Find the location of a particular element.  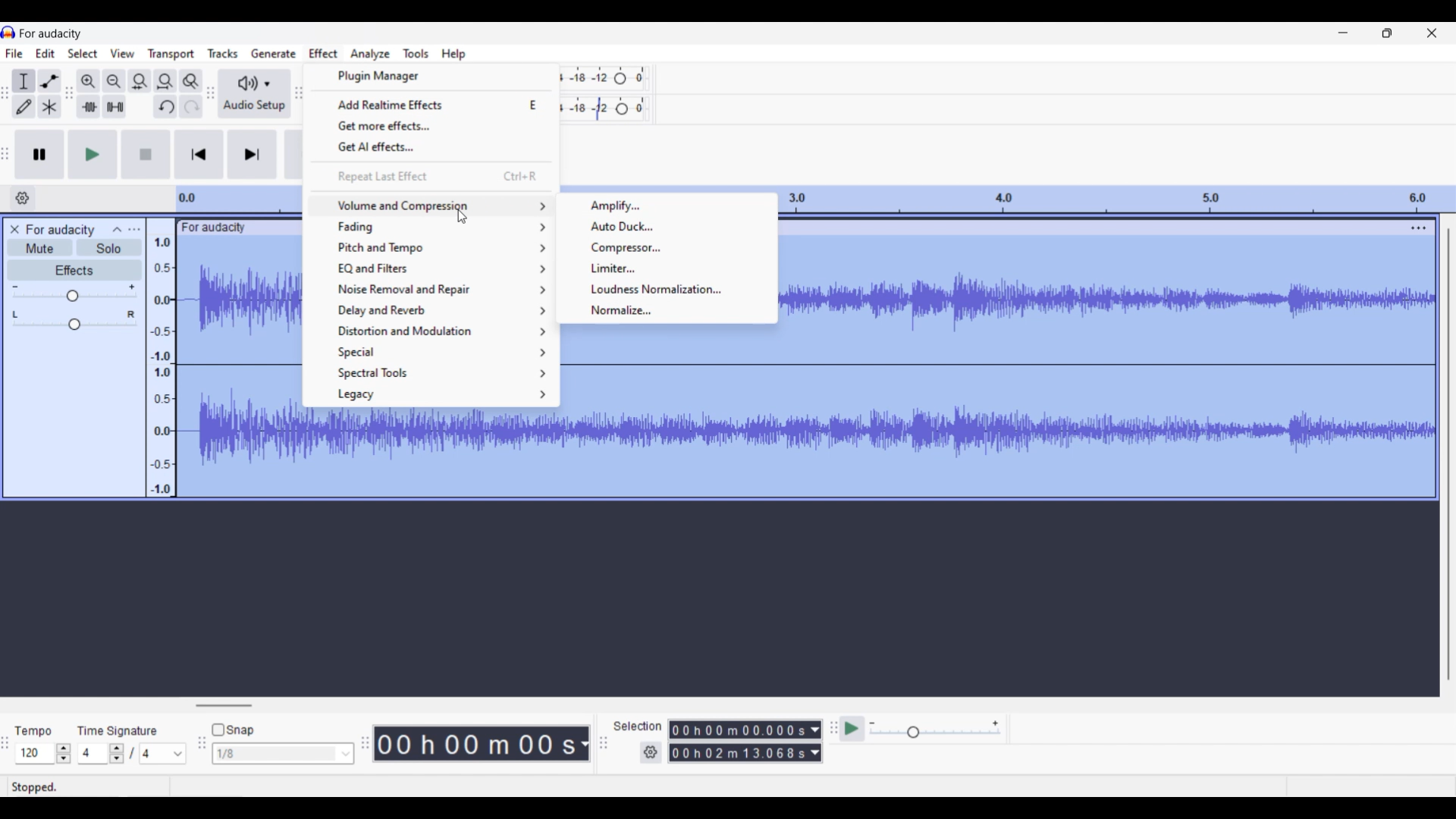

Pitch and tempo is located at coordinates (431, 248).